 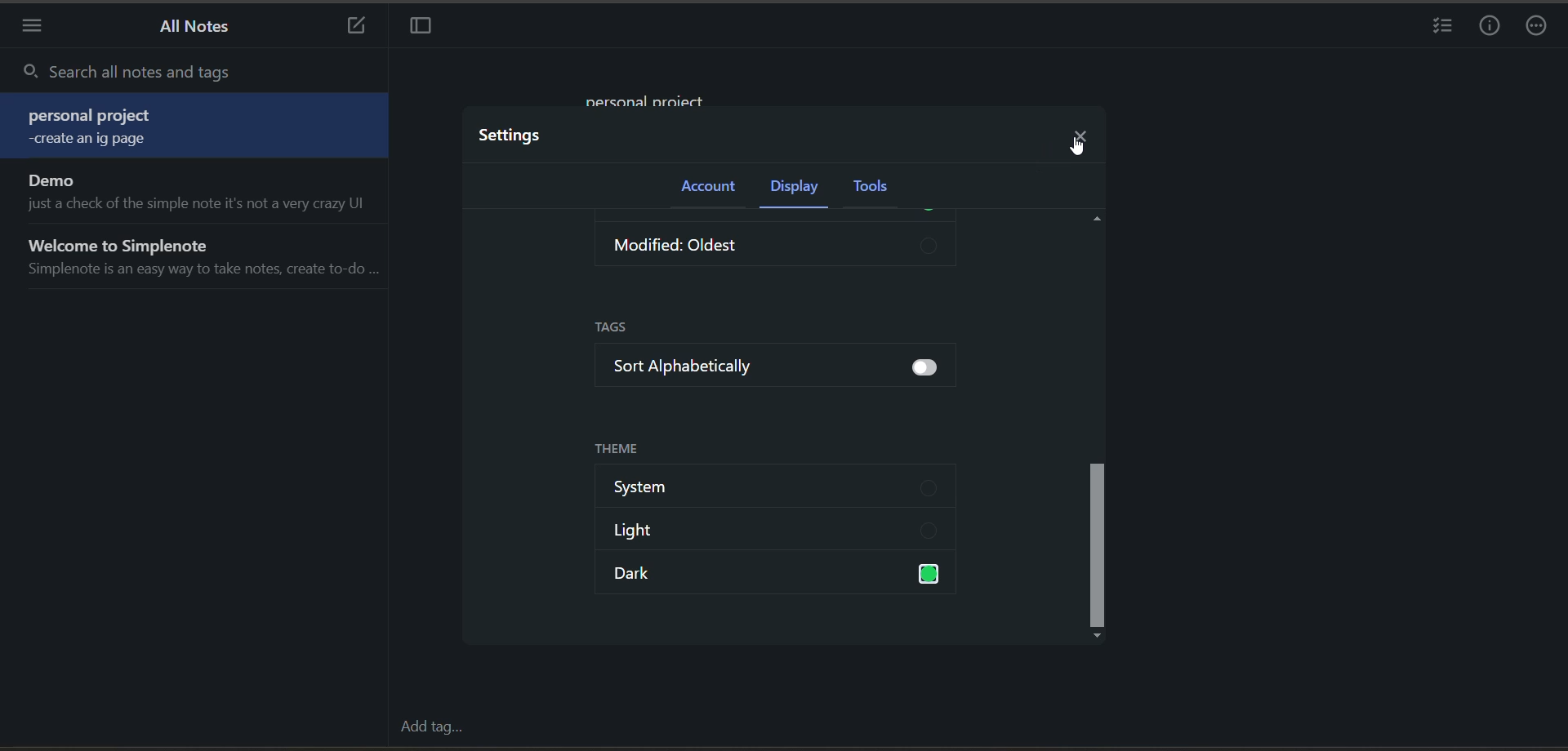 What do you see at coordinates (1080, 146) in the screenshot?
I see `cursor` at bounding box center [1080, 146].